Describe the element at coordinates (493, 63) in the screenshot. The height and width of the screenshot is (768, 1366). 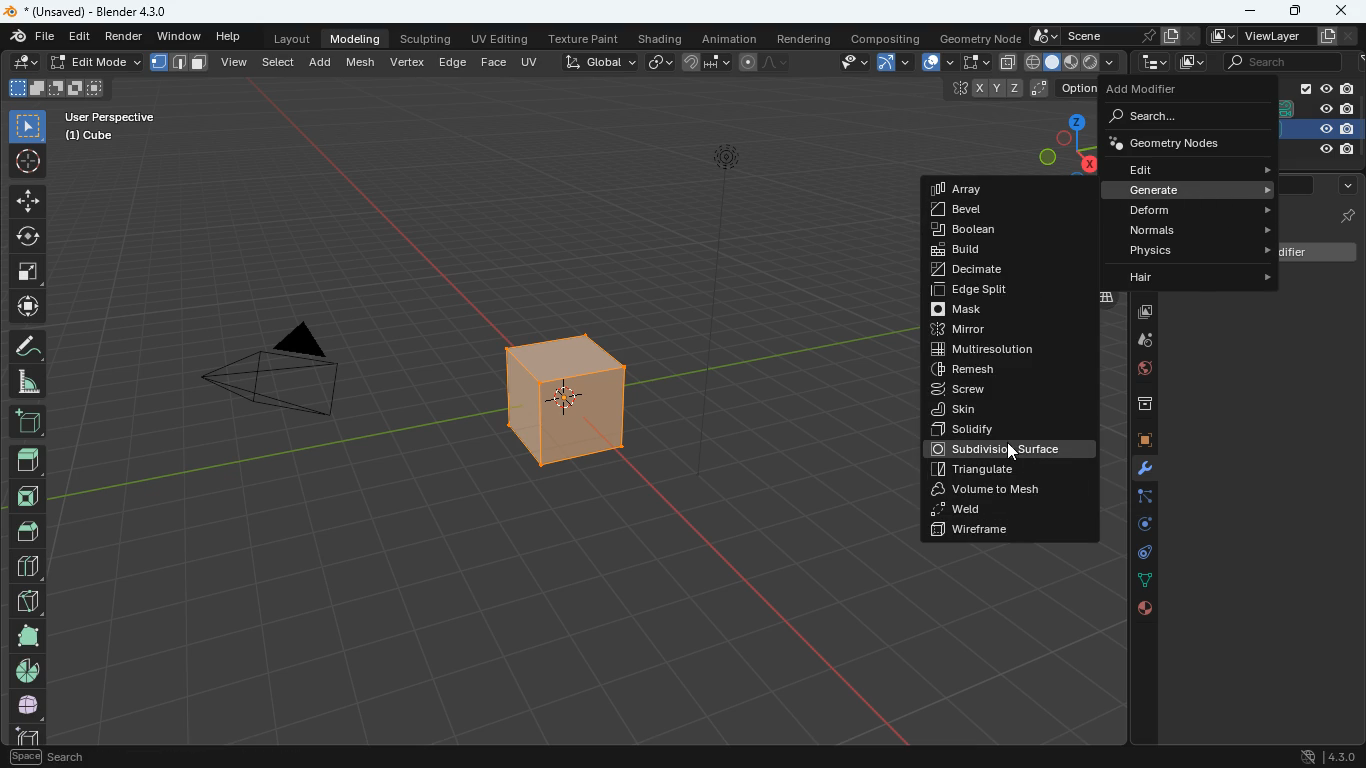
I see `face` at that location.